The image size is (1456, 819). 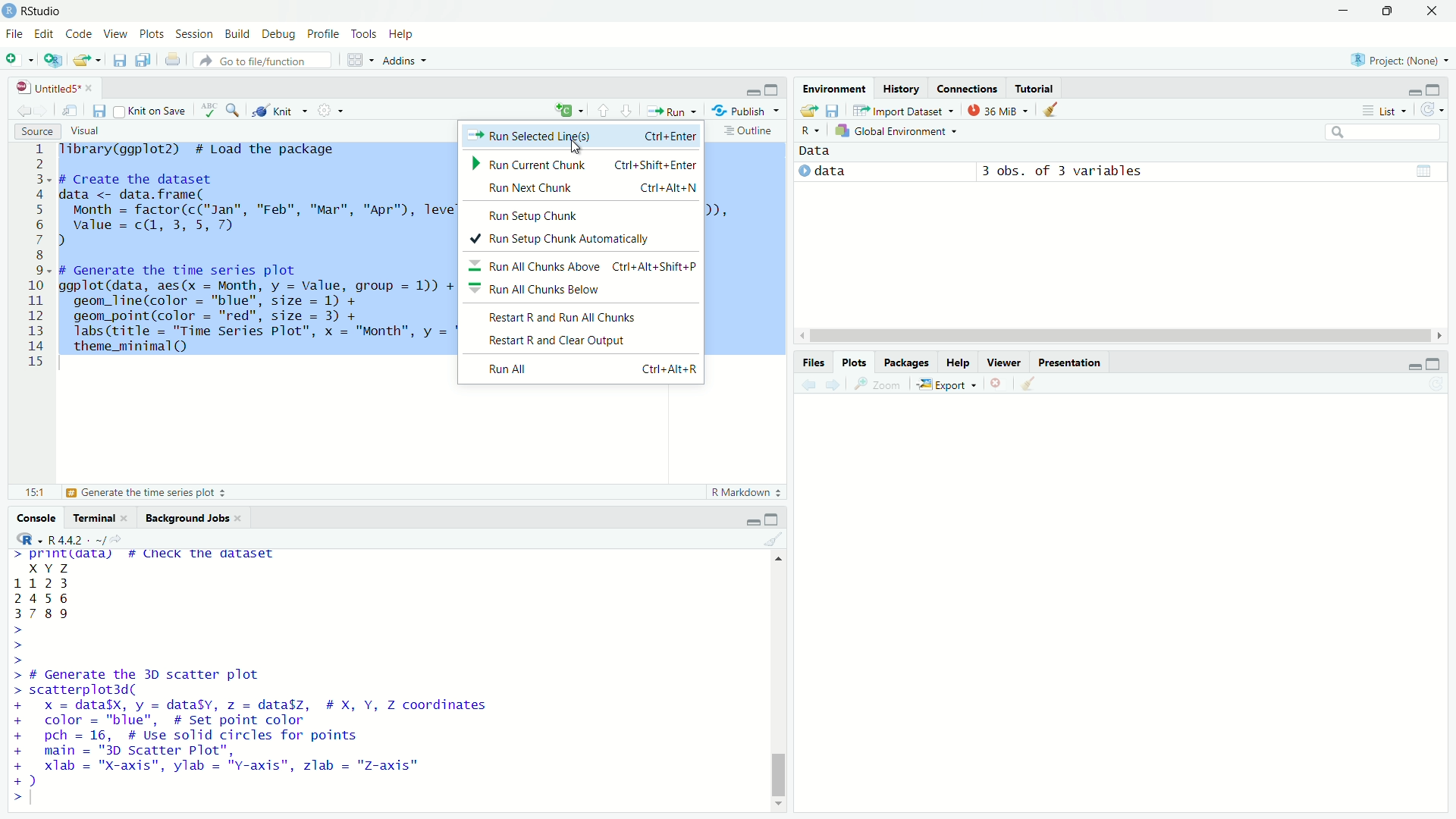 What do you see at coordinates (281, 112) in the screenshot?
I see `knit` at bounding box center [281, 112].